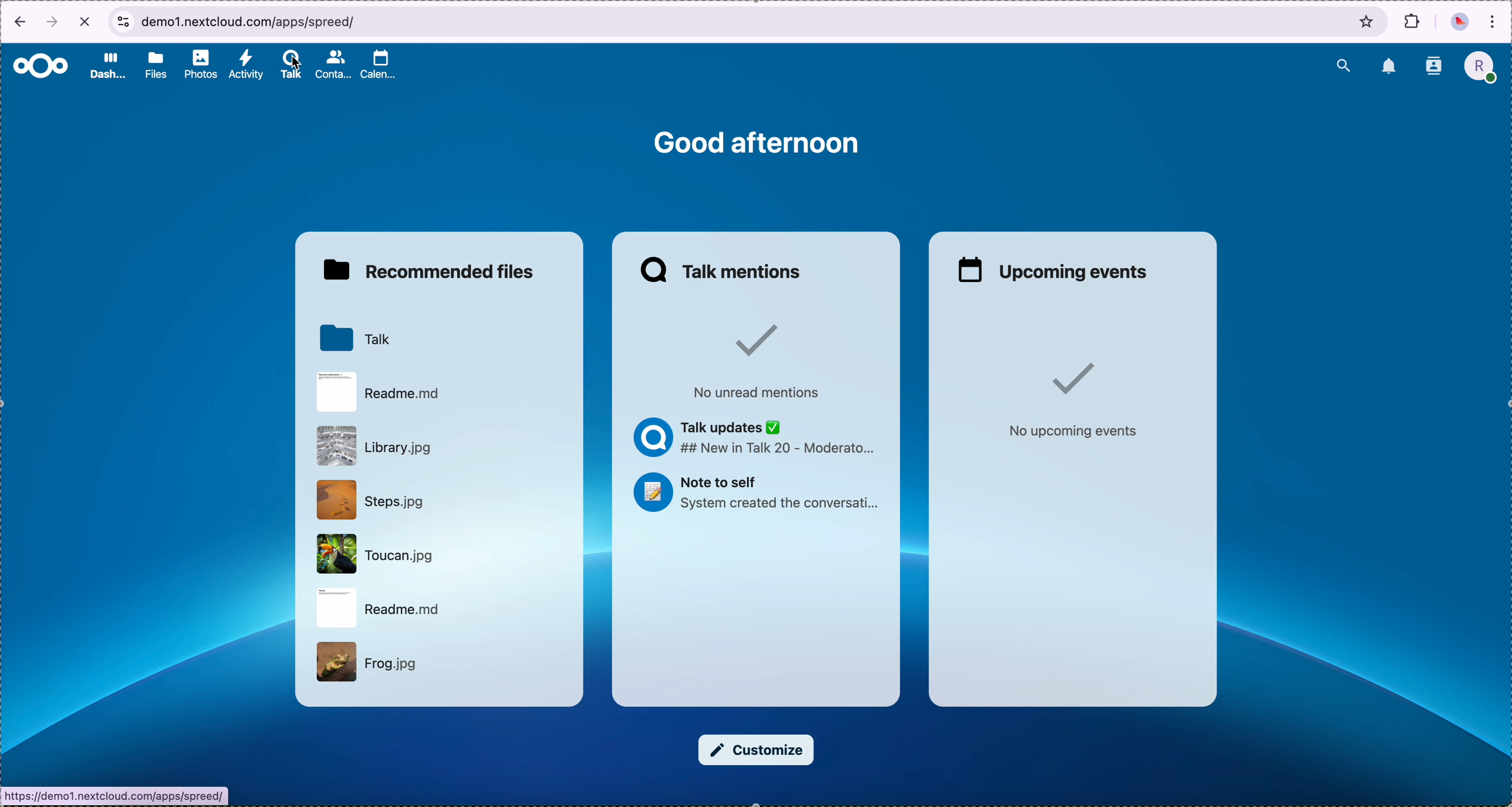 Image resolution: width=1512 pixels, height=807 pixels. Describe the element at coordinates (1433, 66) in the screenshot. I see `contacts` at that location.